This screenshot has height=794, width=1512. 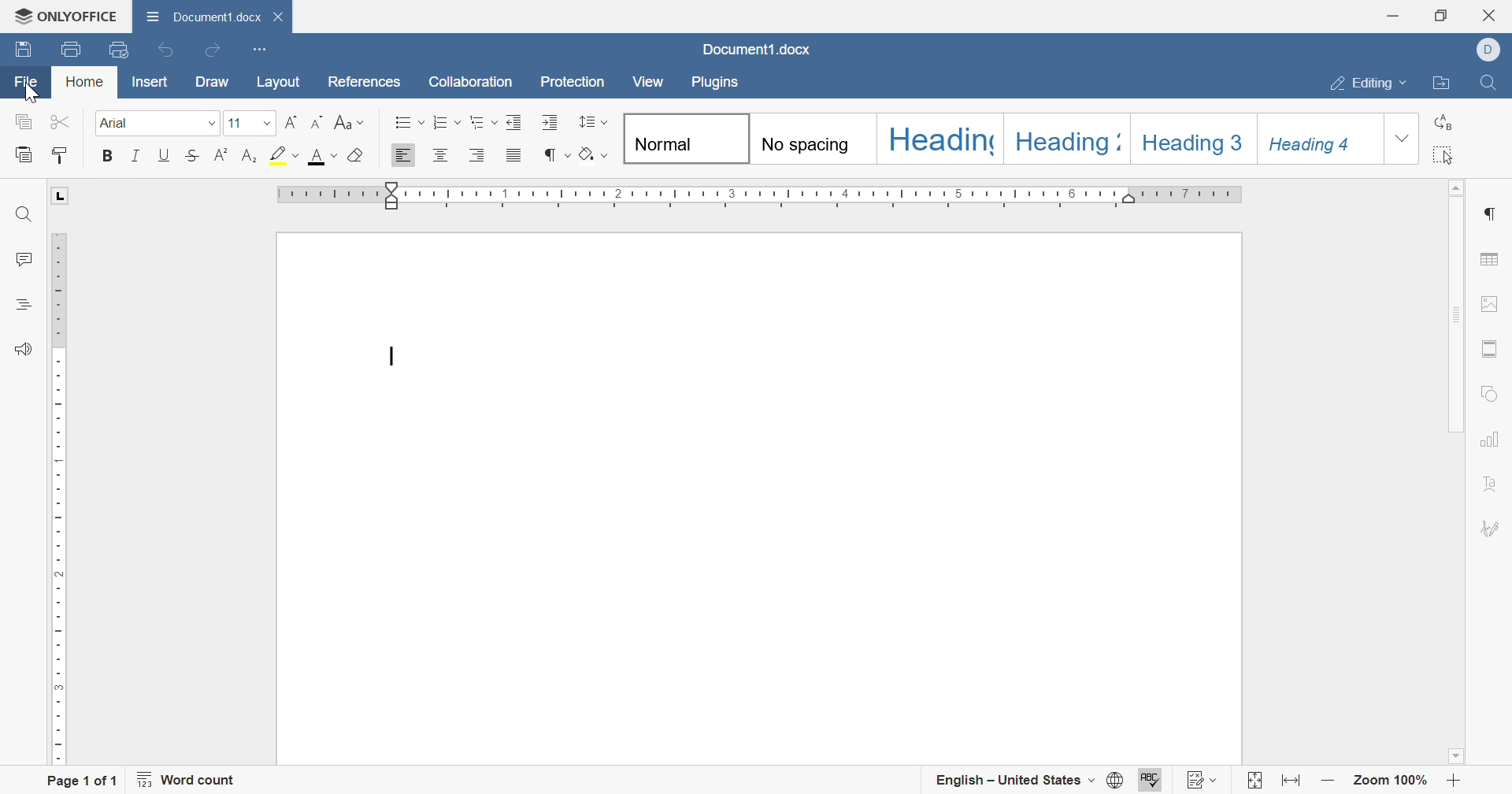 I want to click on strikethrough, so click(x=193, y=157).